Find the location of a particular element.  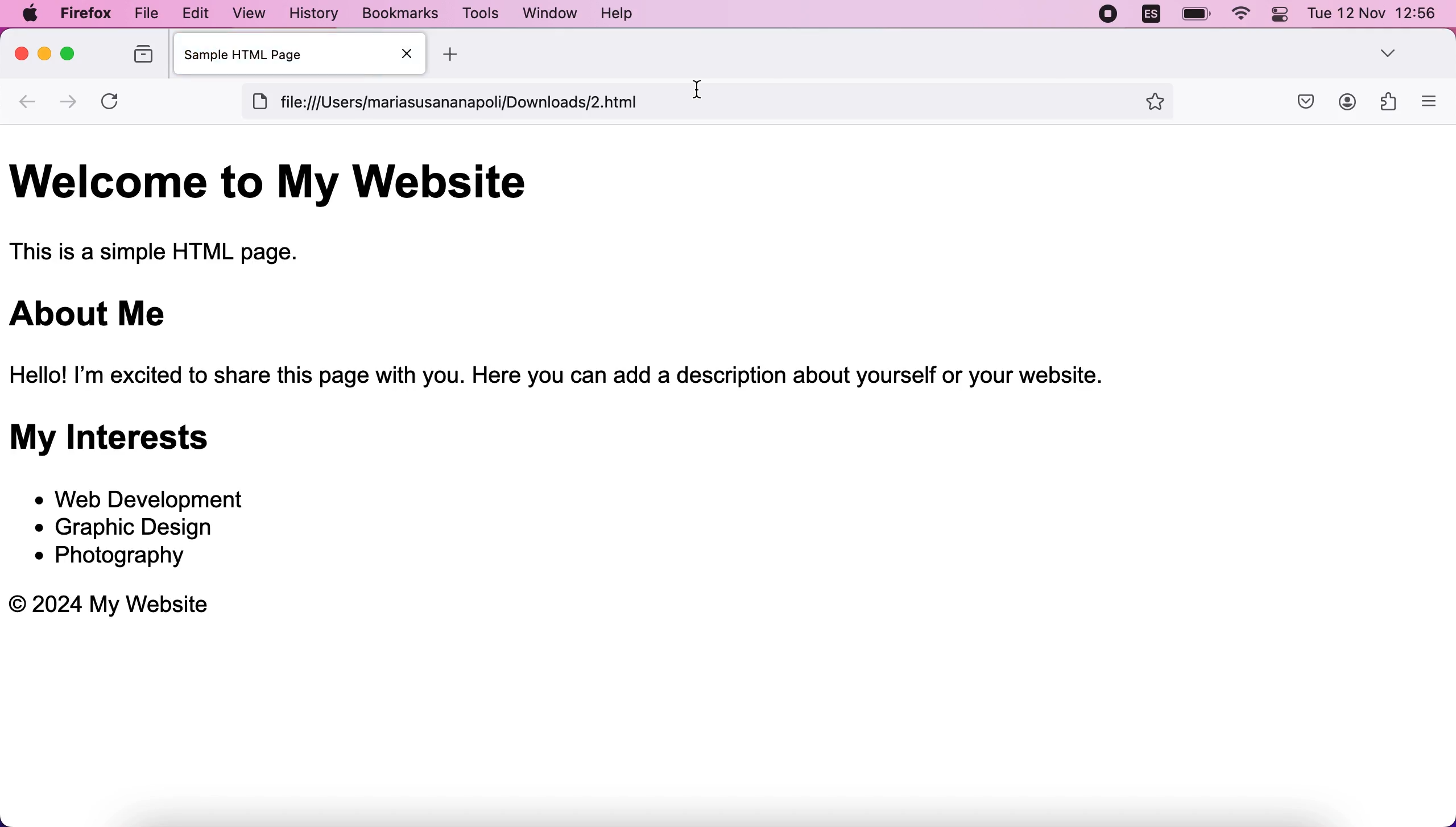

open application is located at coordinates (1435, 101).